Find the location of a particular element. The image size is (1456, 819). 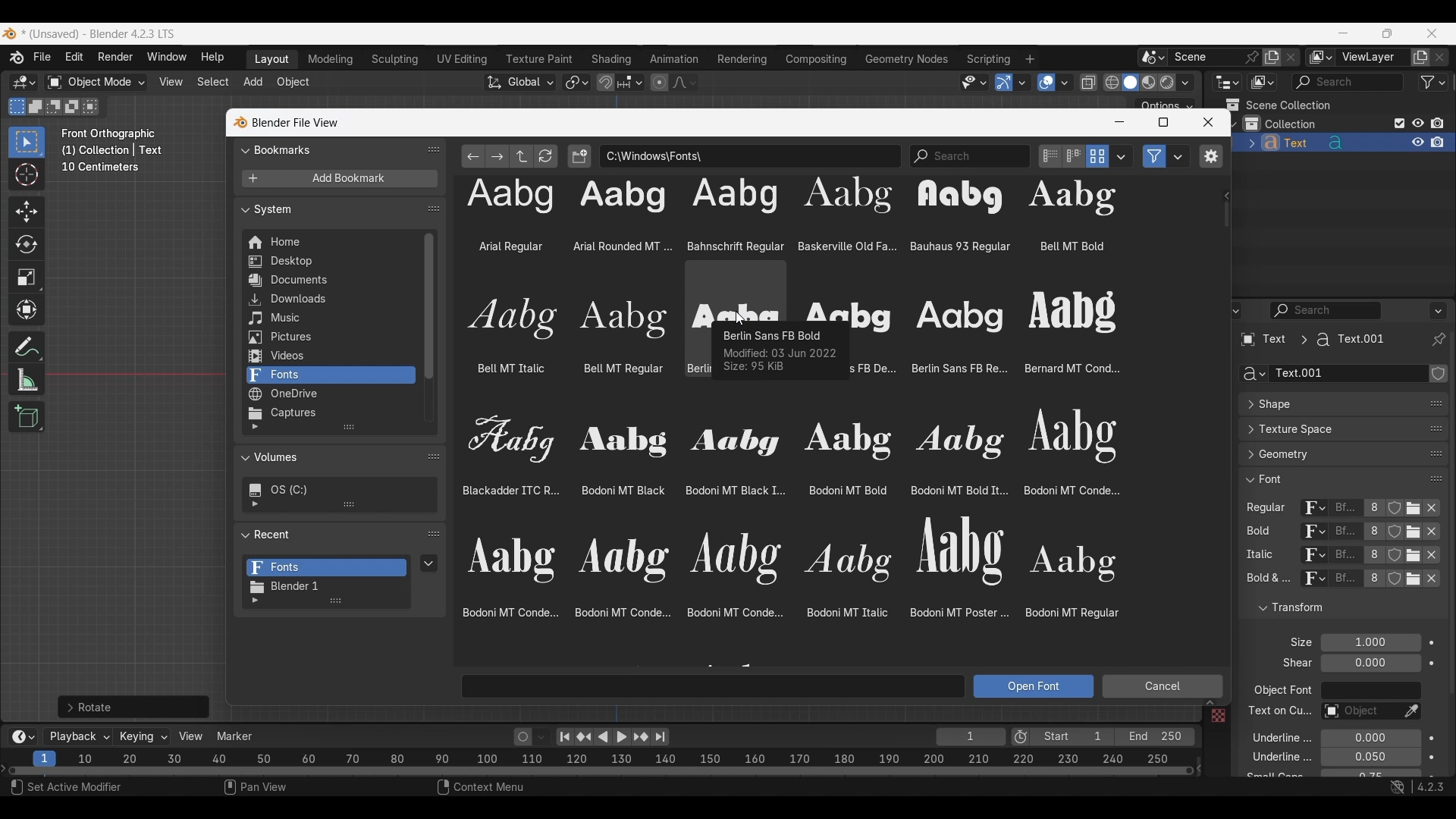

Description of selected font is located at coordinates (780, 351).